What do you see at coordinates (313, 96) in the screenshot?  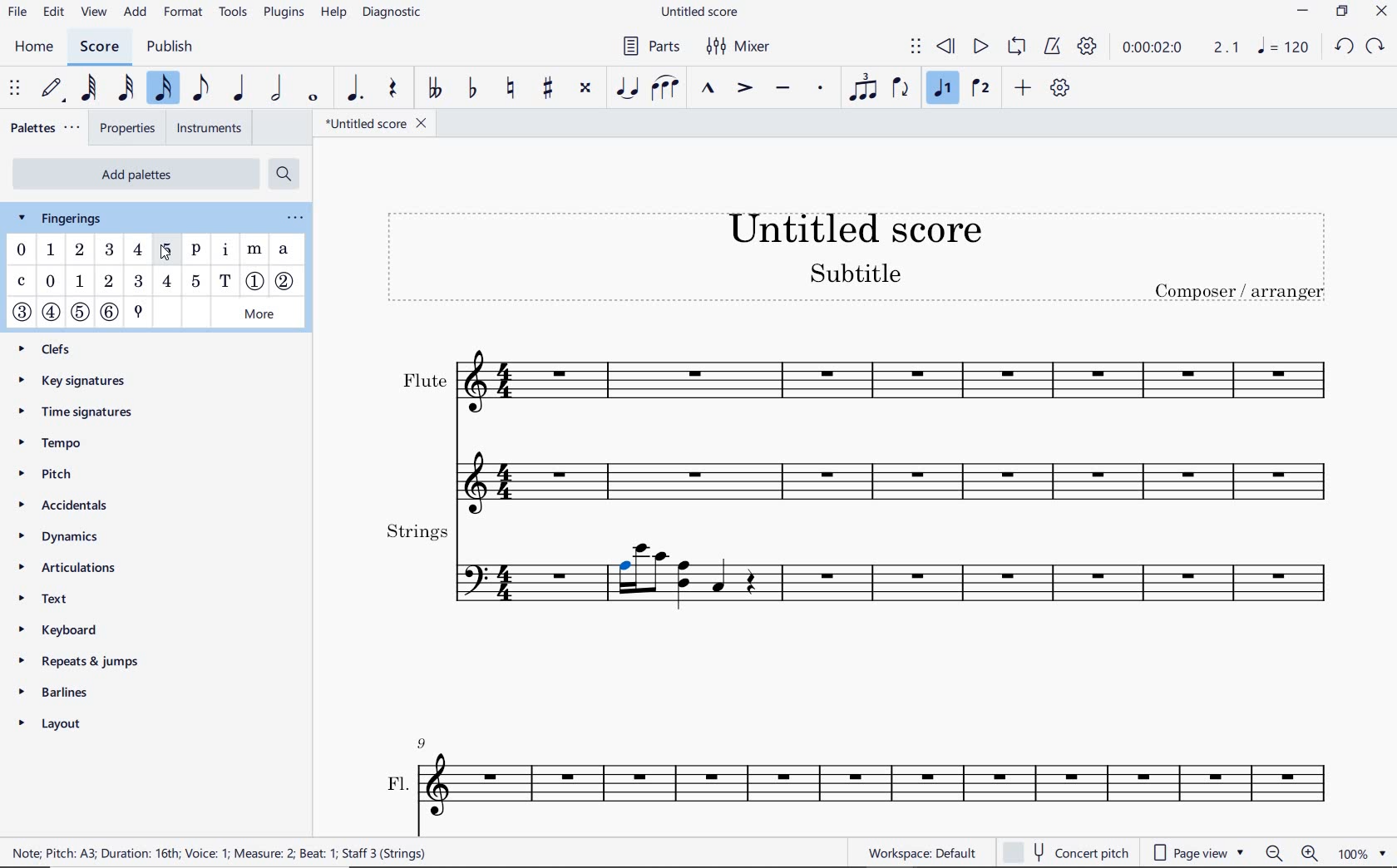 I see `whole note` at bounding box center [313, 96].